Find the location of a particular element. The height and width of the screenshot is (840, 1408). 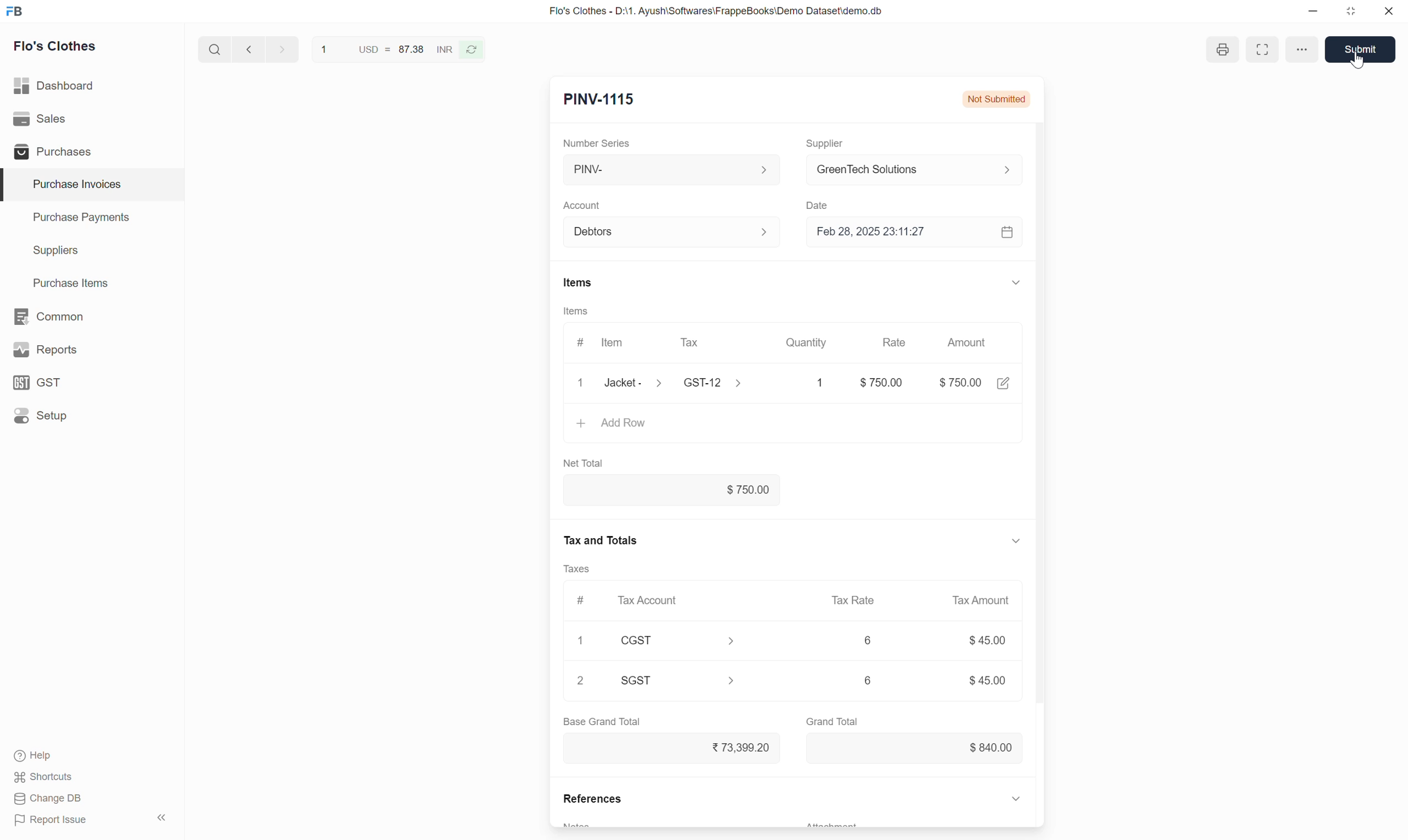

Account is located at coordinates (583, 206).